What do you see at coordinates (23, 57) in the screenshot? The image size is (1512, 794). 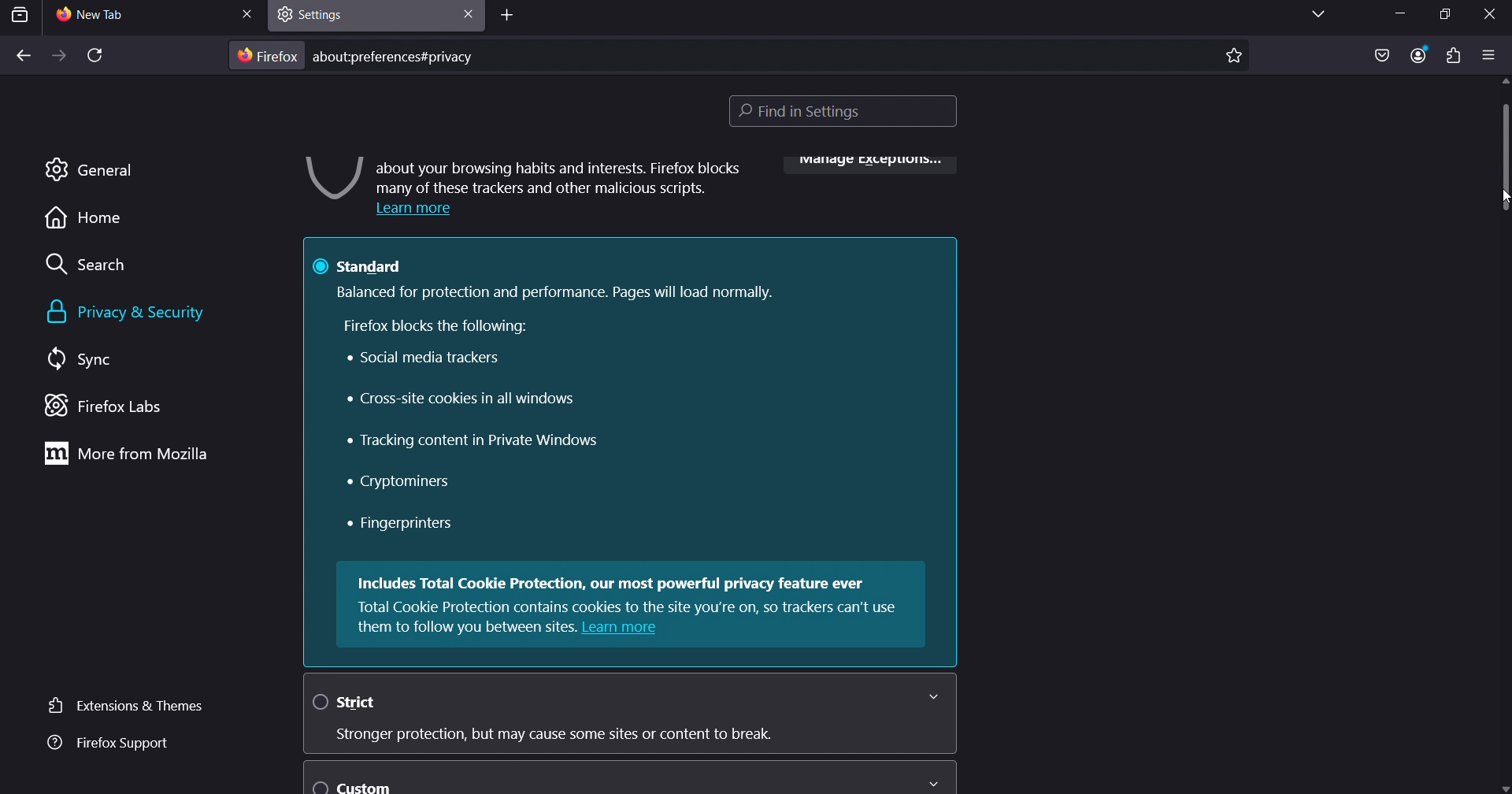 I see `back one page` at bounding box center [23, 57].